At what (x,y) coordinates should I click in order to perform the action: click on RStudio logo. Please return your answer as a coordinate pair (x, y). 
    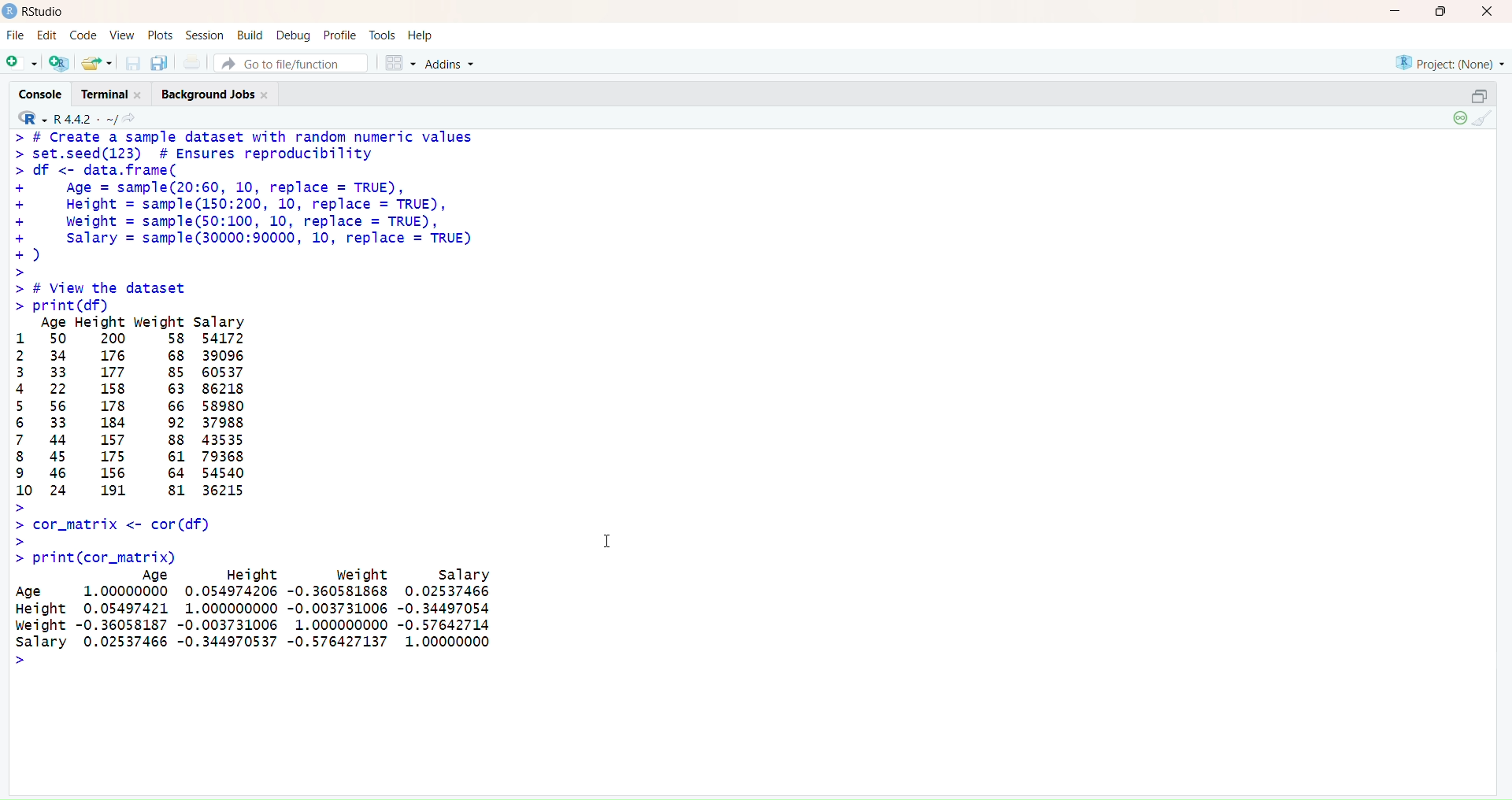
    Looking at the image, I should click on (28, 117).